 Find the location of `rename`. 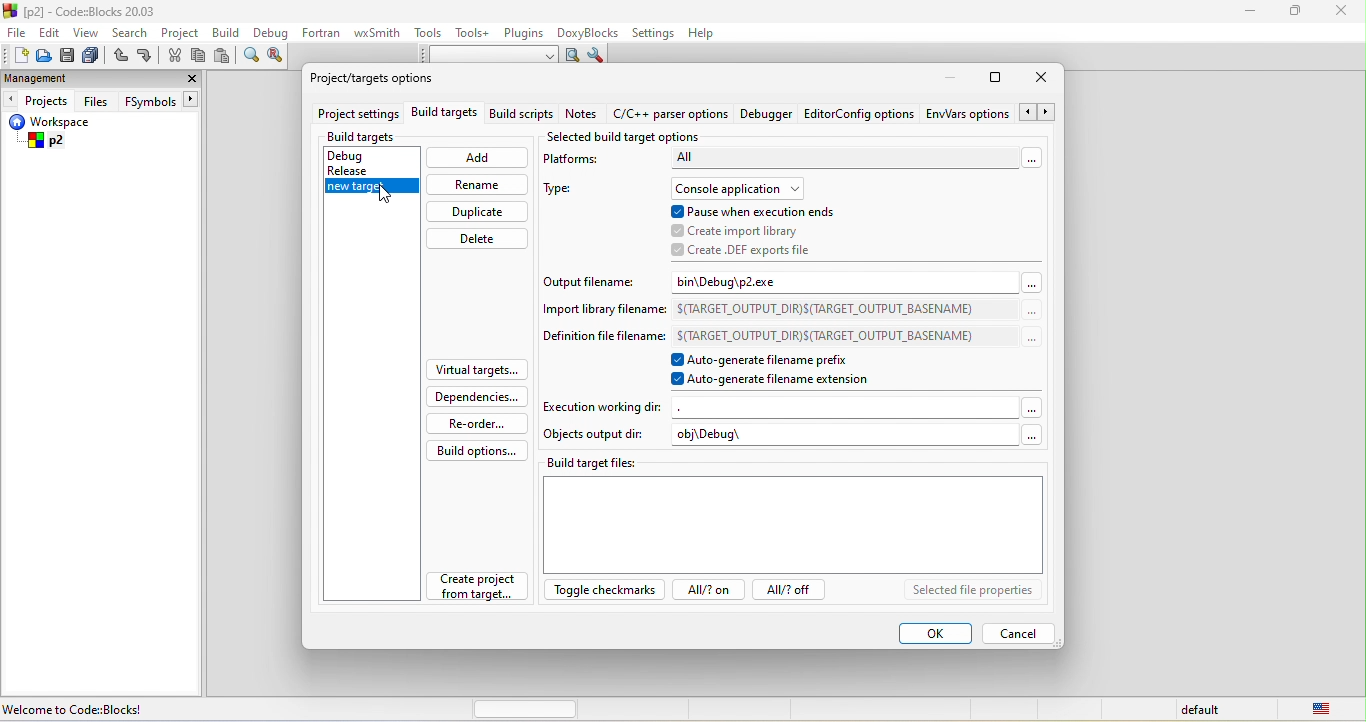

rename is located at coordinates (476, 184).